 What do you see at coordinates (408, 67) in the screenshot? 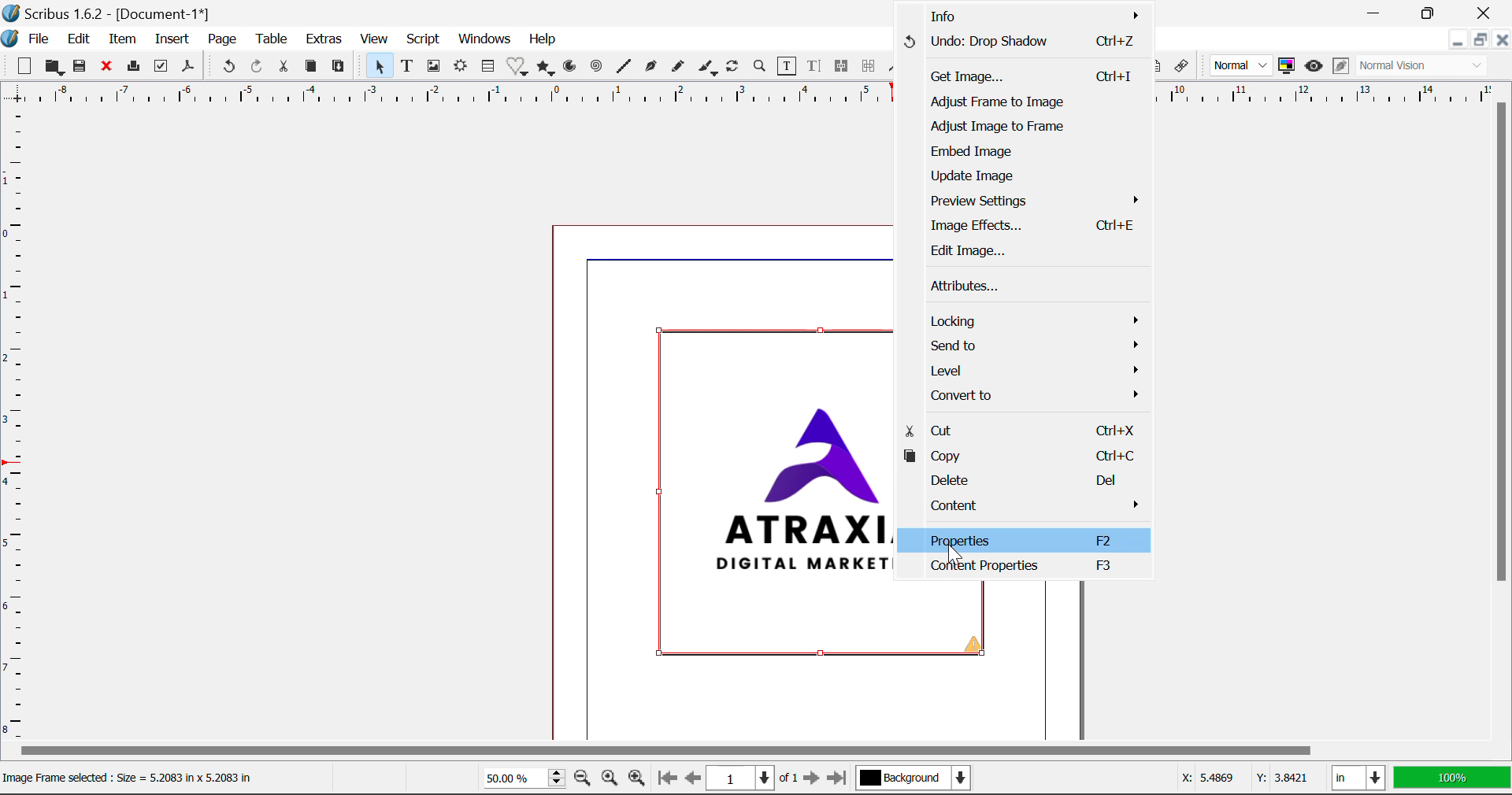
I see `Text Frame` at bounding box center [408, 67].